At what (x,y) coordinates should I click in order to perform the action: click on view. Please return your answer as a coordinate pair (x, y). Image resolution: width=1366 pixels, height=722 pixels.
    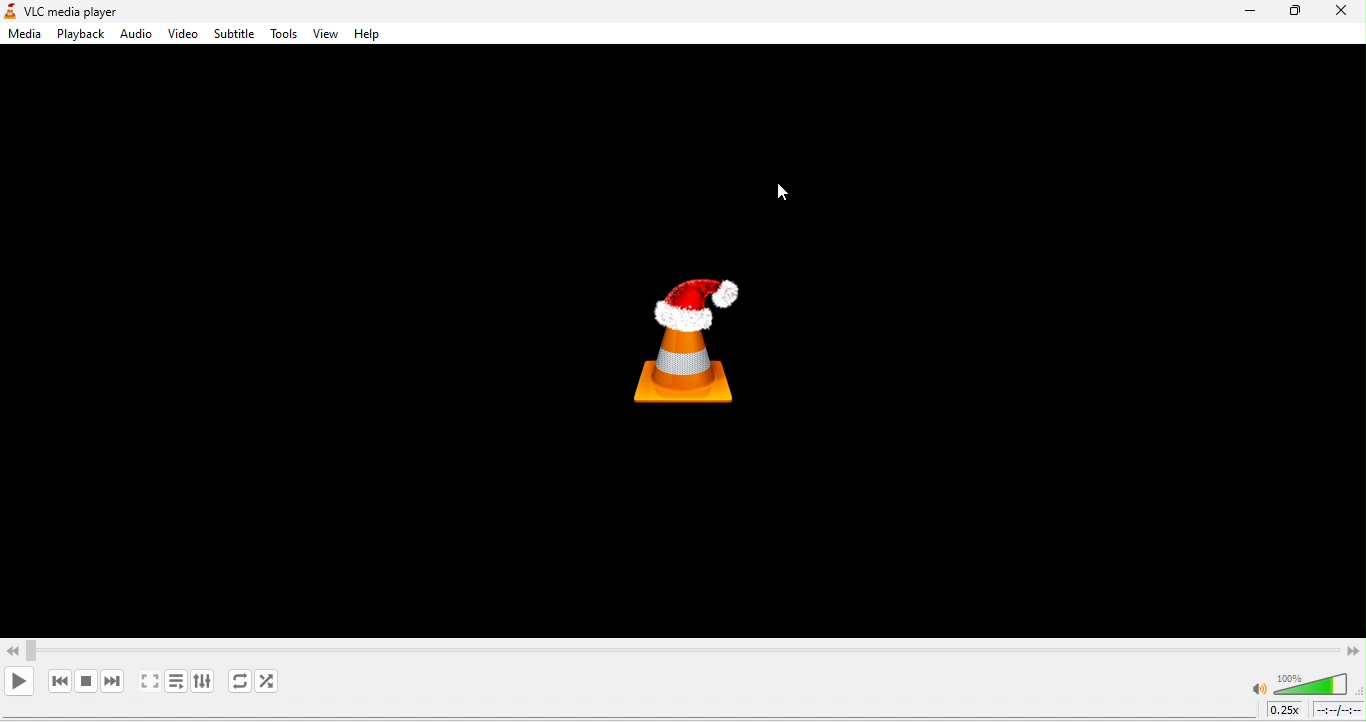
    Looking at the image, I should click on (323, 36).